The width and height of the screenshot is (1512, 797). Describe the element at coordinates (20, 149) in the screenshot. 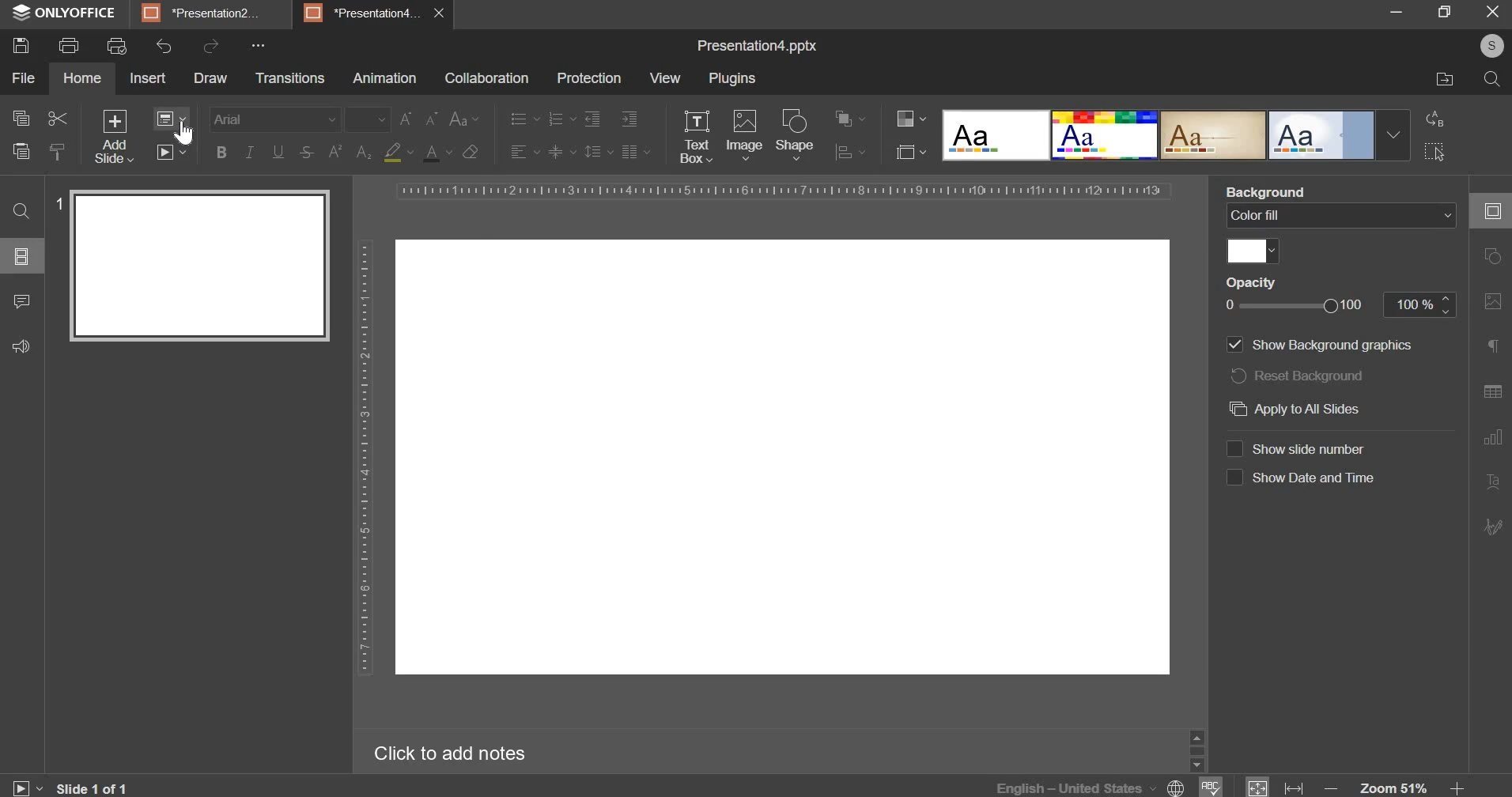

I see `paste` at that location.